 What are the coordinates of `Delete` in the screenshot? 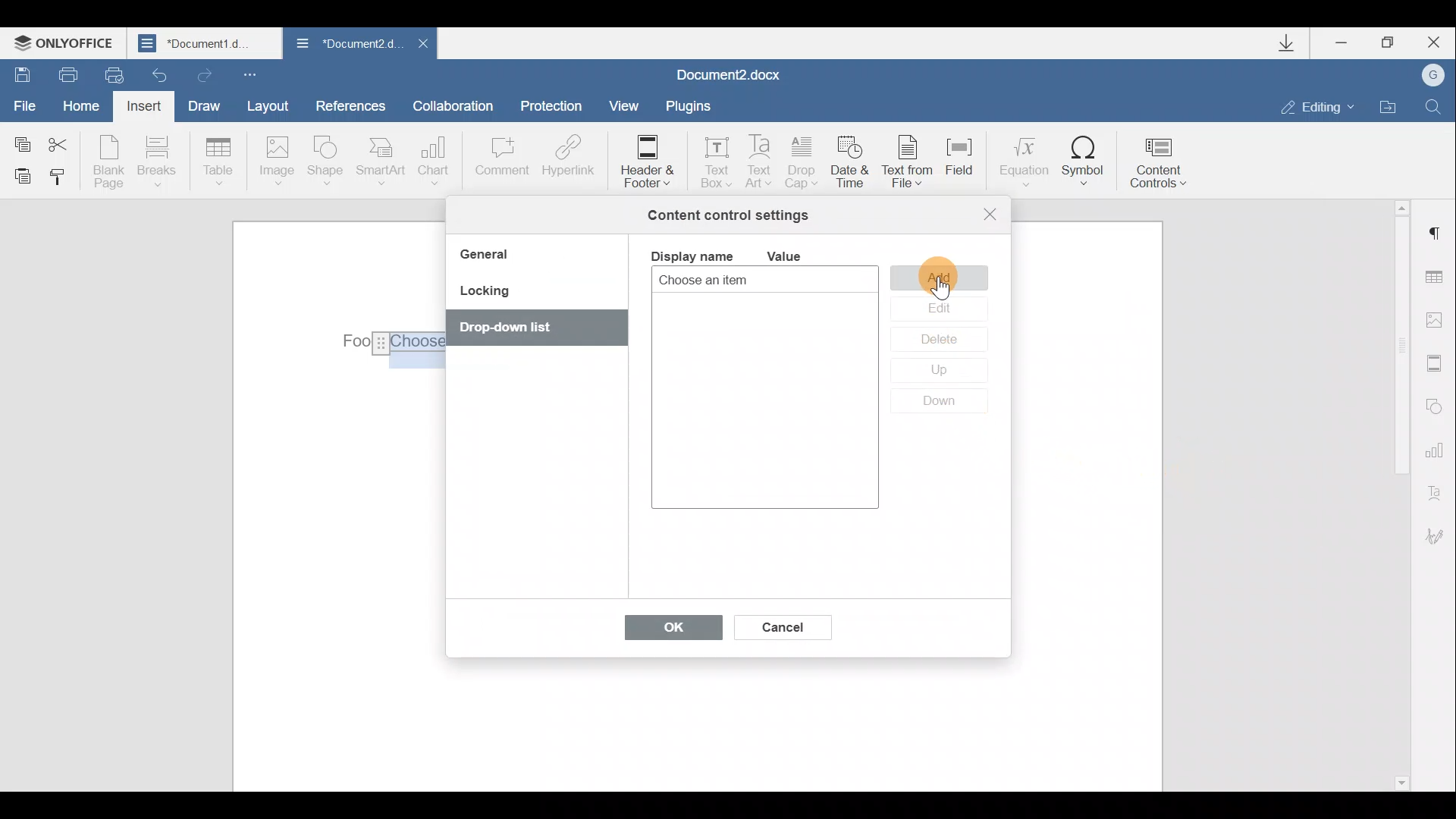 It's located at (936, 342).